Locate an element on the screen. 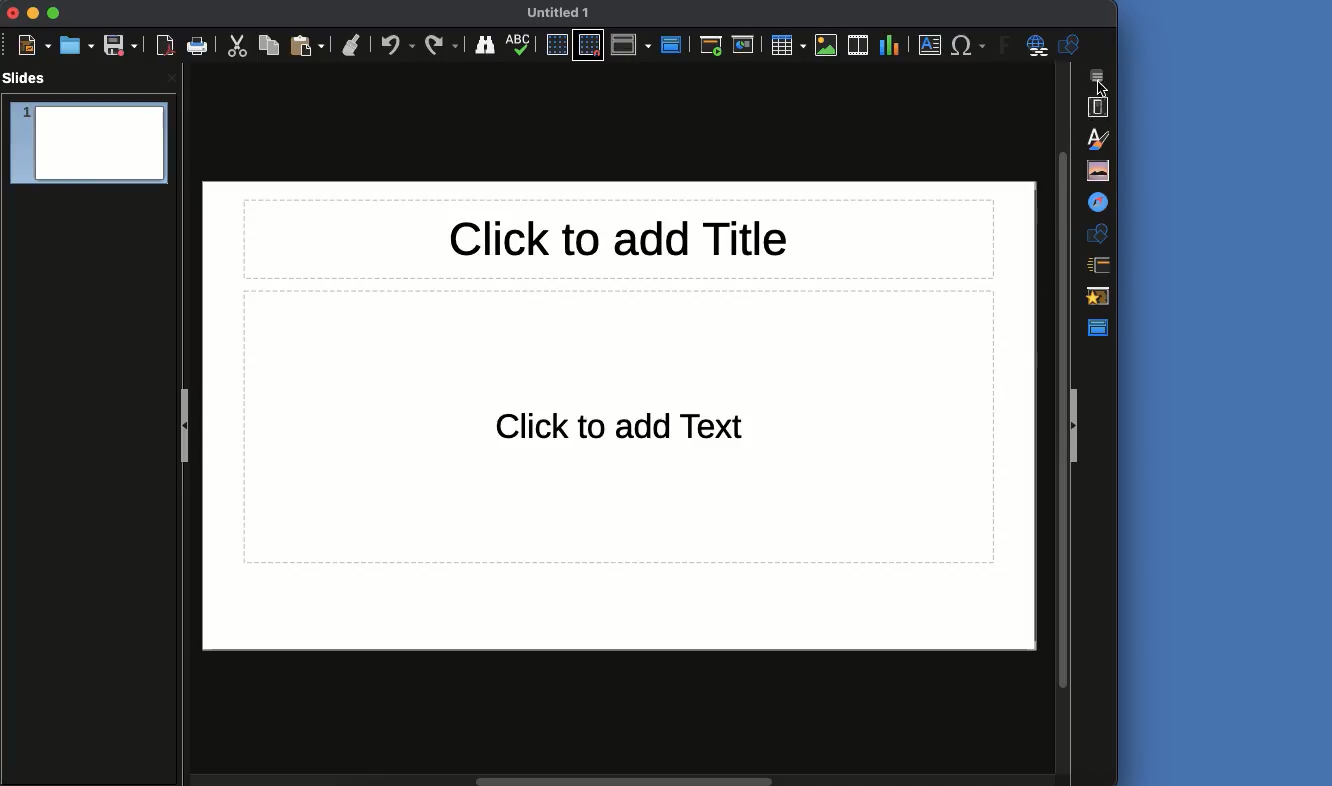 This screenshot has height=786, width=1332. Open is located at coordinates (78, 43).